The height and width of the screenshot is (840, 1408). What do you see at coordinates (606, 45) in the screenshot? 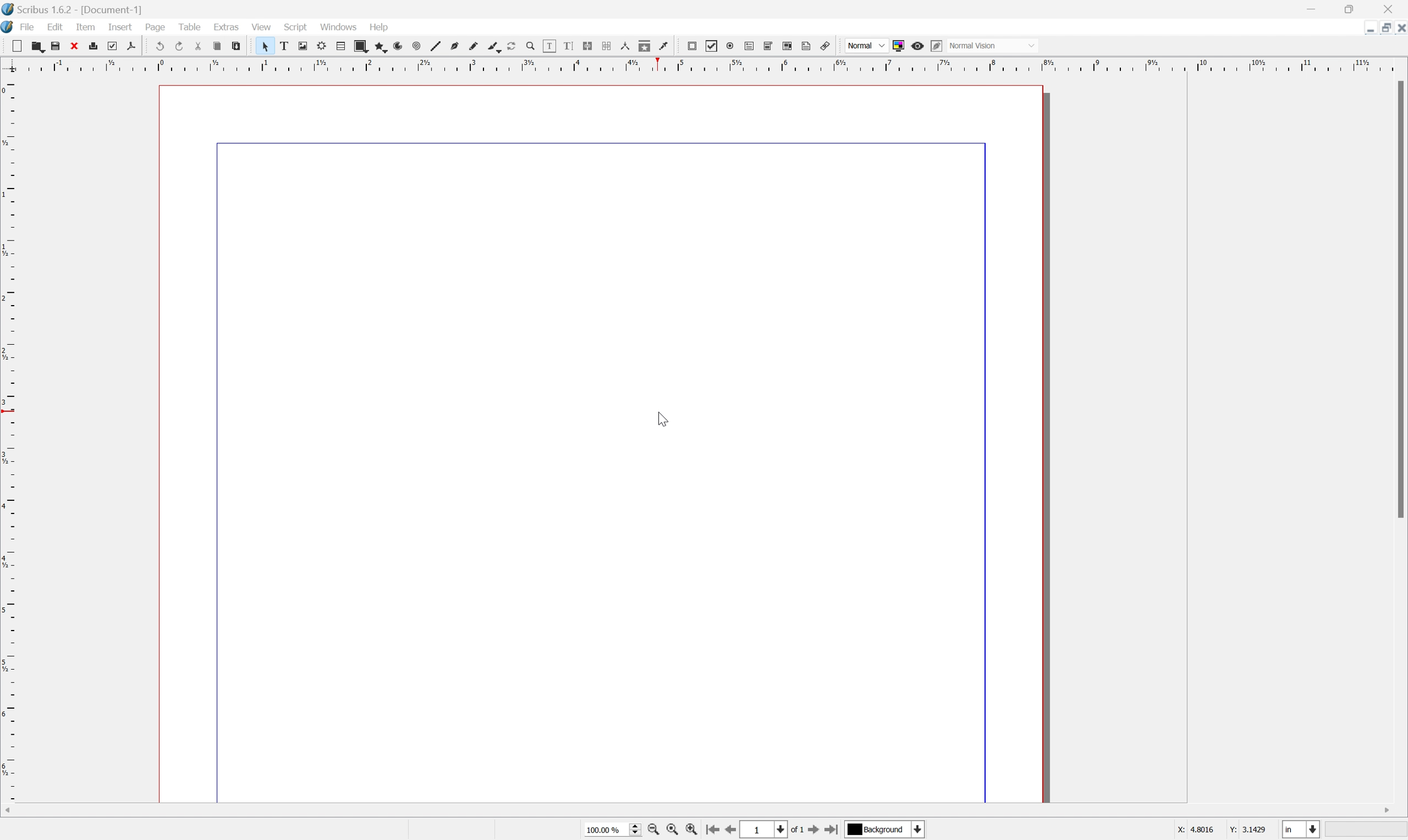
I see `unlink text frames` at bounding box center [606, 45].